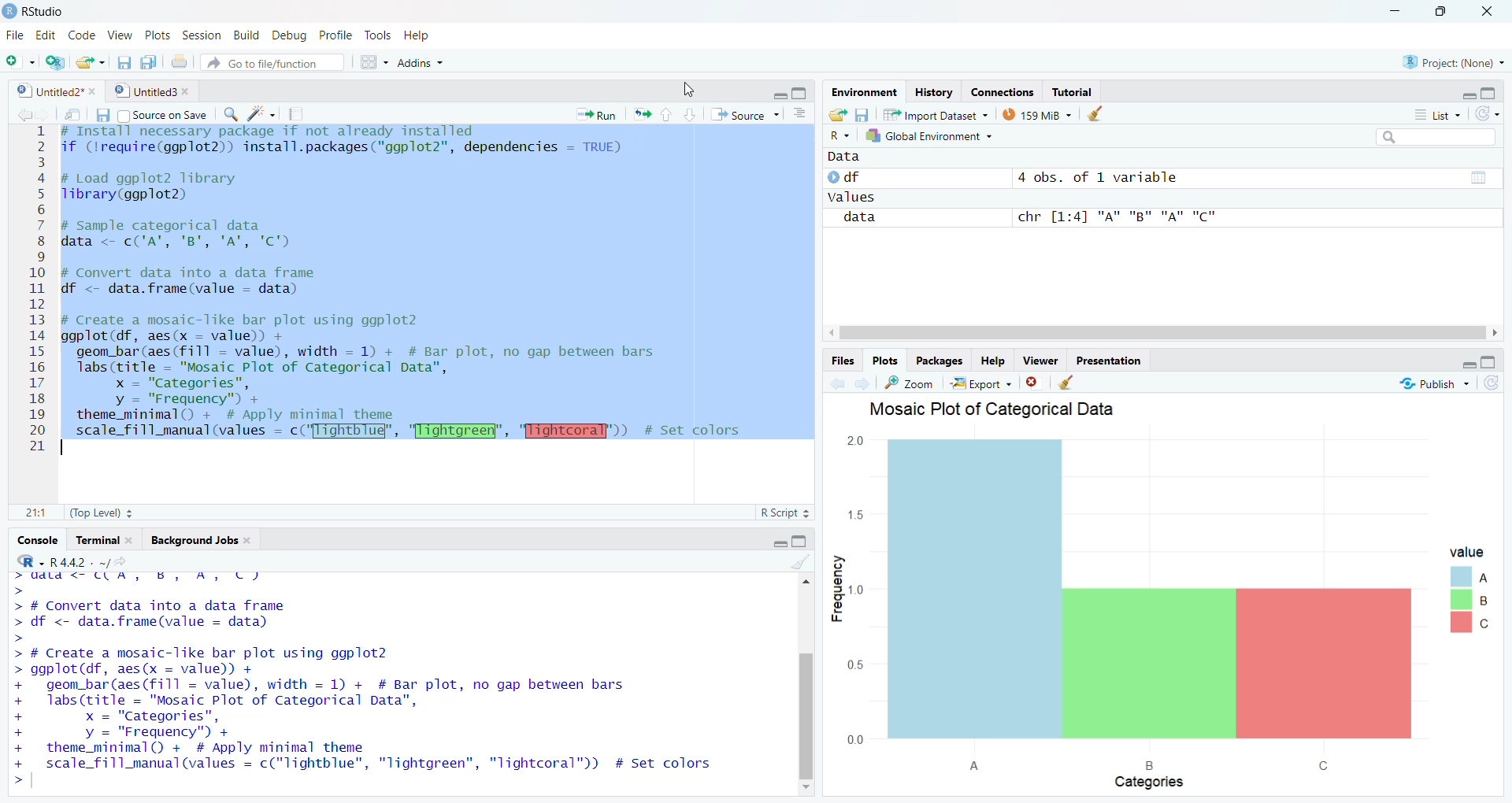 The height and width of the screenshot is (803, 1512). I want to click on Minimize, so click(1464, 364).